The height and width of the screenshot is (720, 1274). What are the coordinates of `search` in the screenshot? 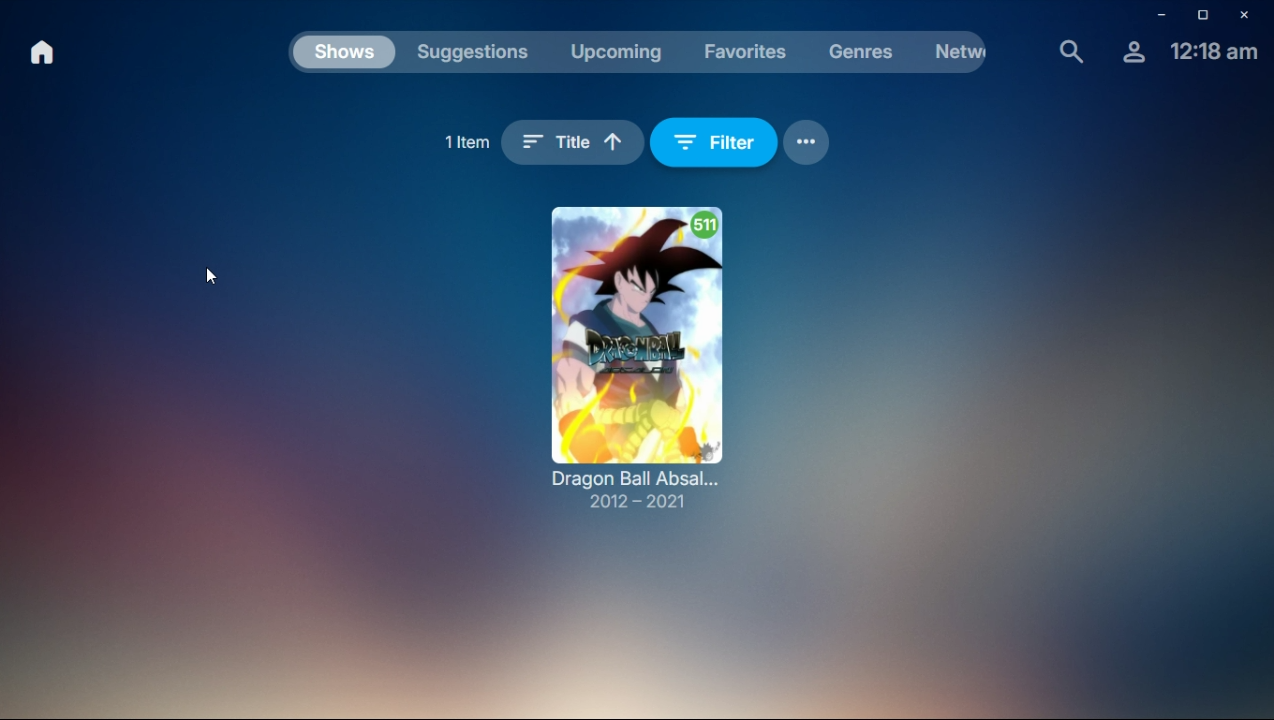 It's located at (1070, 51).